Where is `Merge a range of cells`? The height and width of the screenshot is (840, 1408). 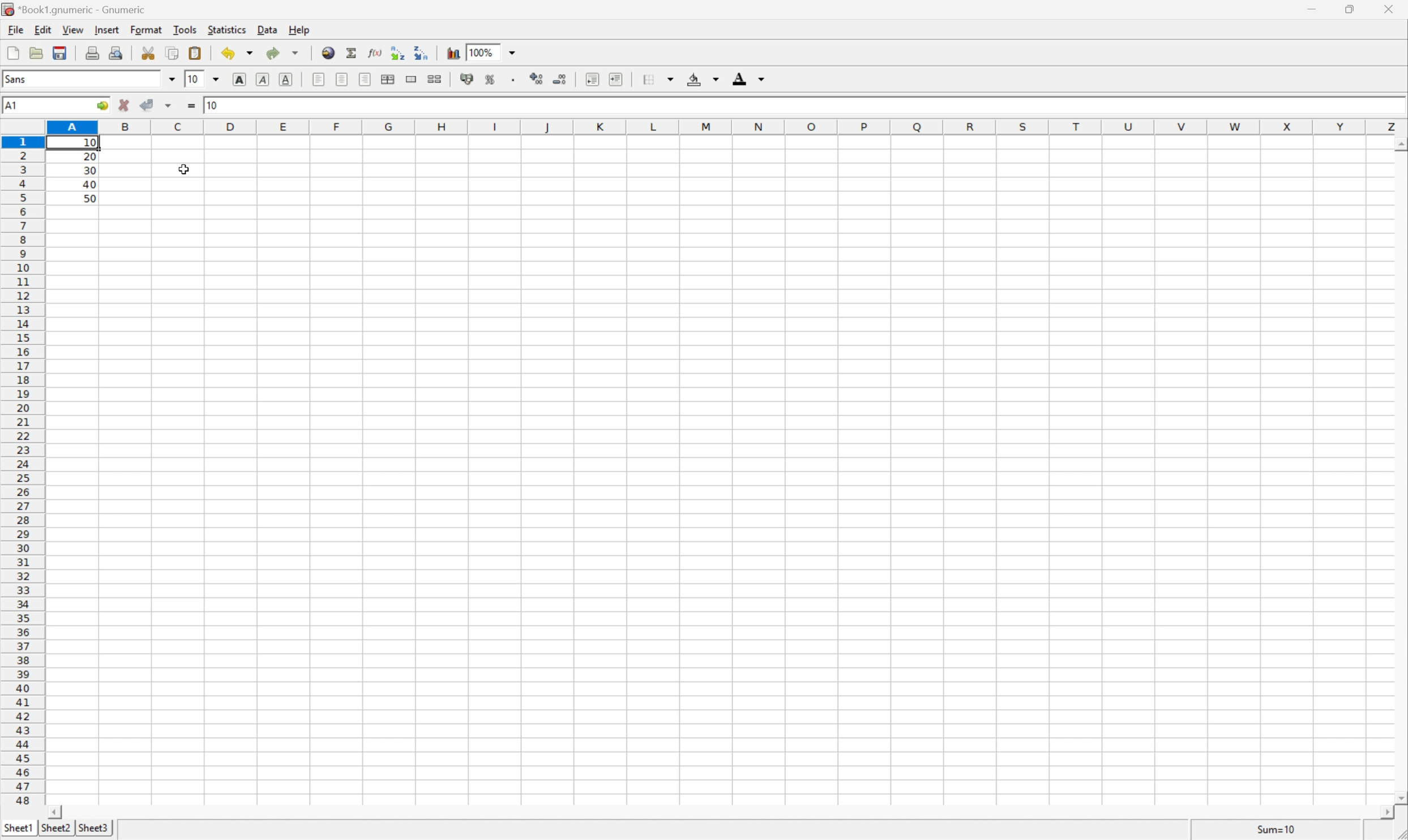 Merge a range of cells is located at coordinates (411, 80).